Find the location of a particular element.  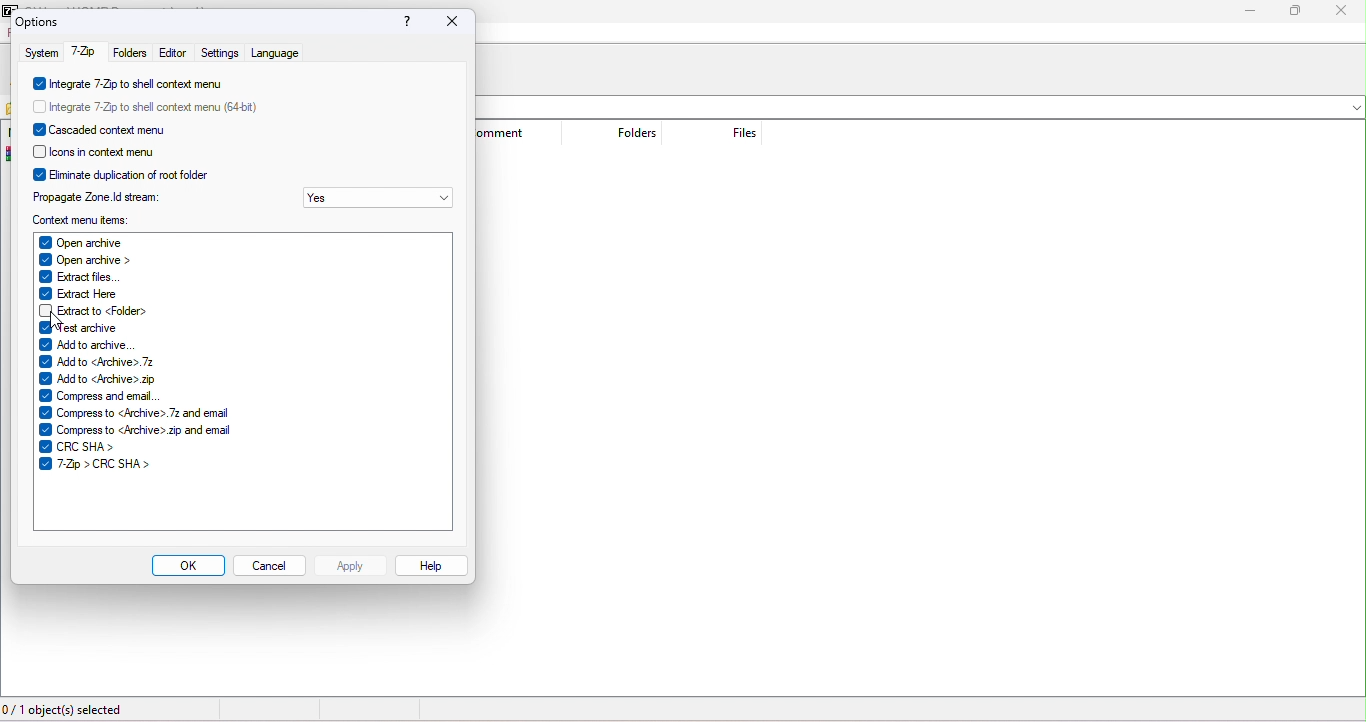

open archive> is located at coordinates (106, 259).